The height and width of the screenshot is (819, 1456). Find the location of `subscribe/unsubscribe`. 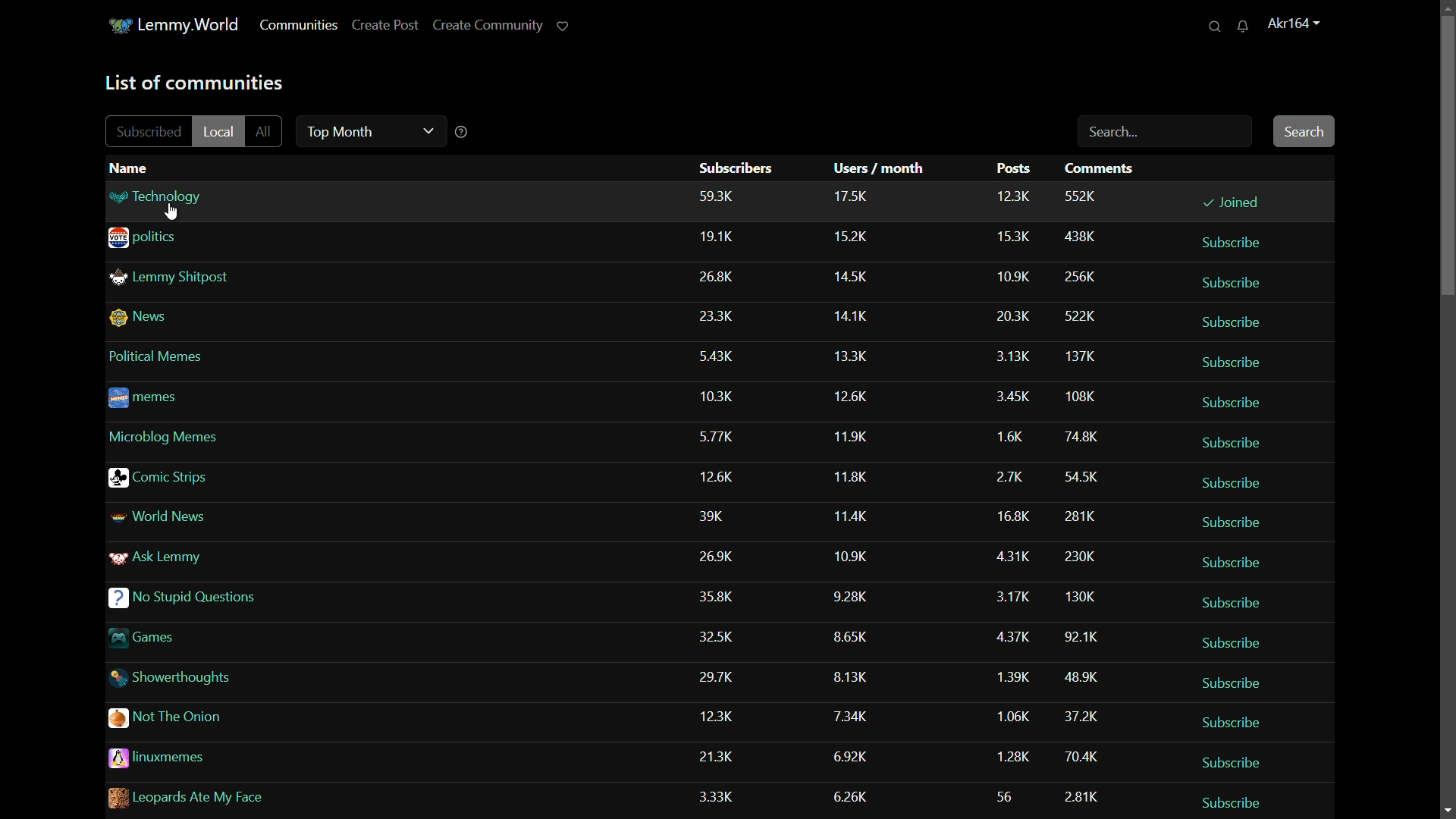

subscribe/unsubscribe is located at coordinates (1239, 319).